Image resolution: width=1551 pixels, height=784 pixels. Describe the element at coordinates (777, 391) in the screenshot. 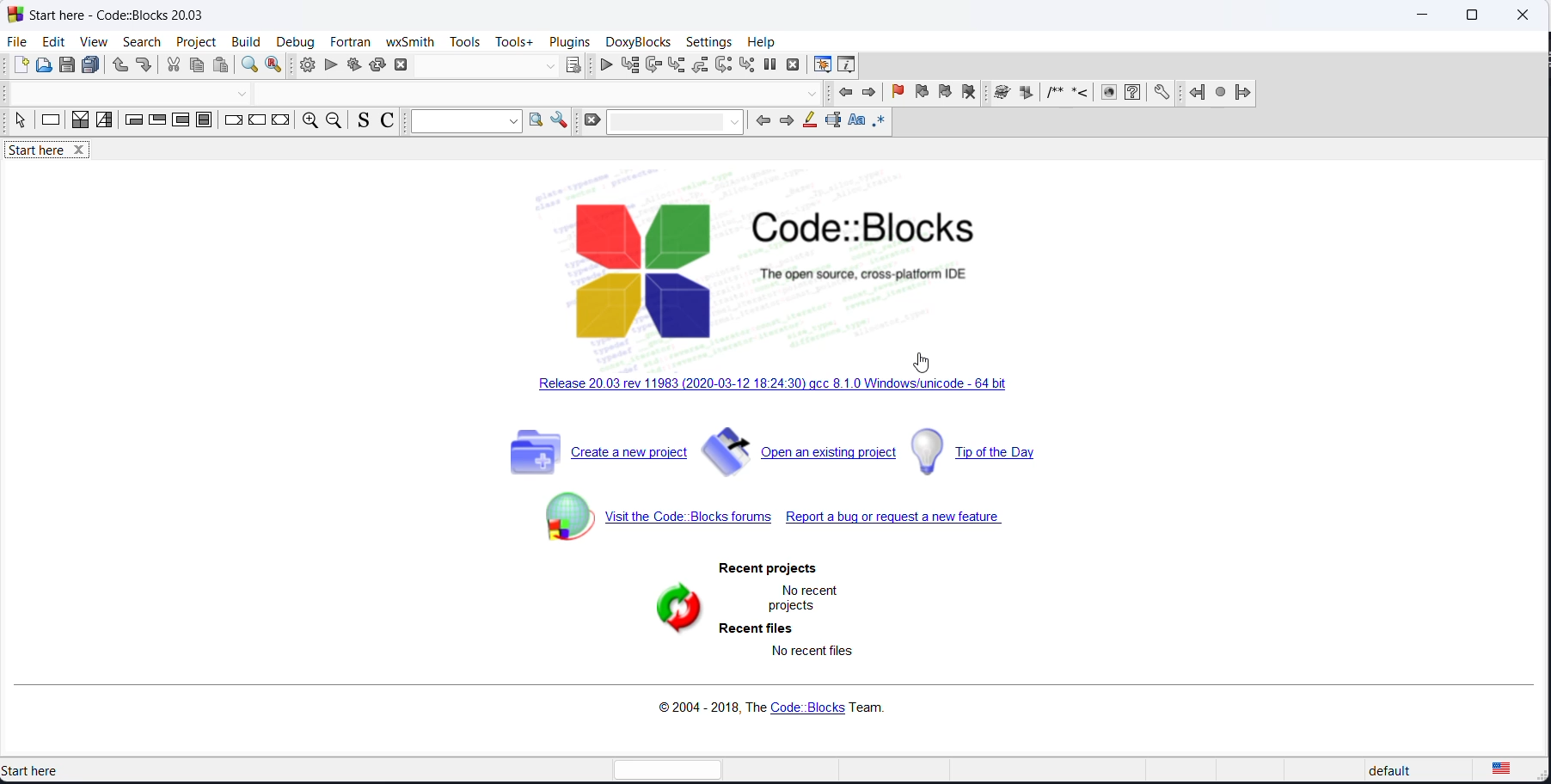

I see `new release` at that location.